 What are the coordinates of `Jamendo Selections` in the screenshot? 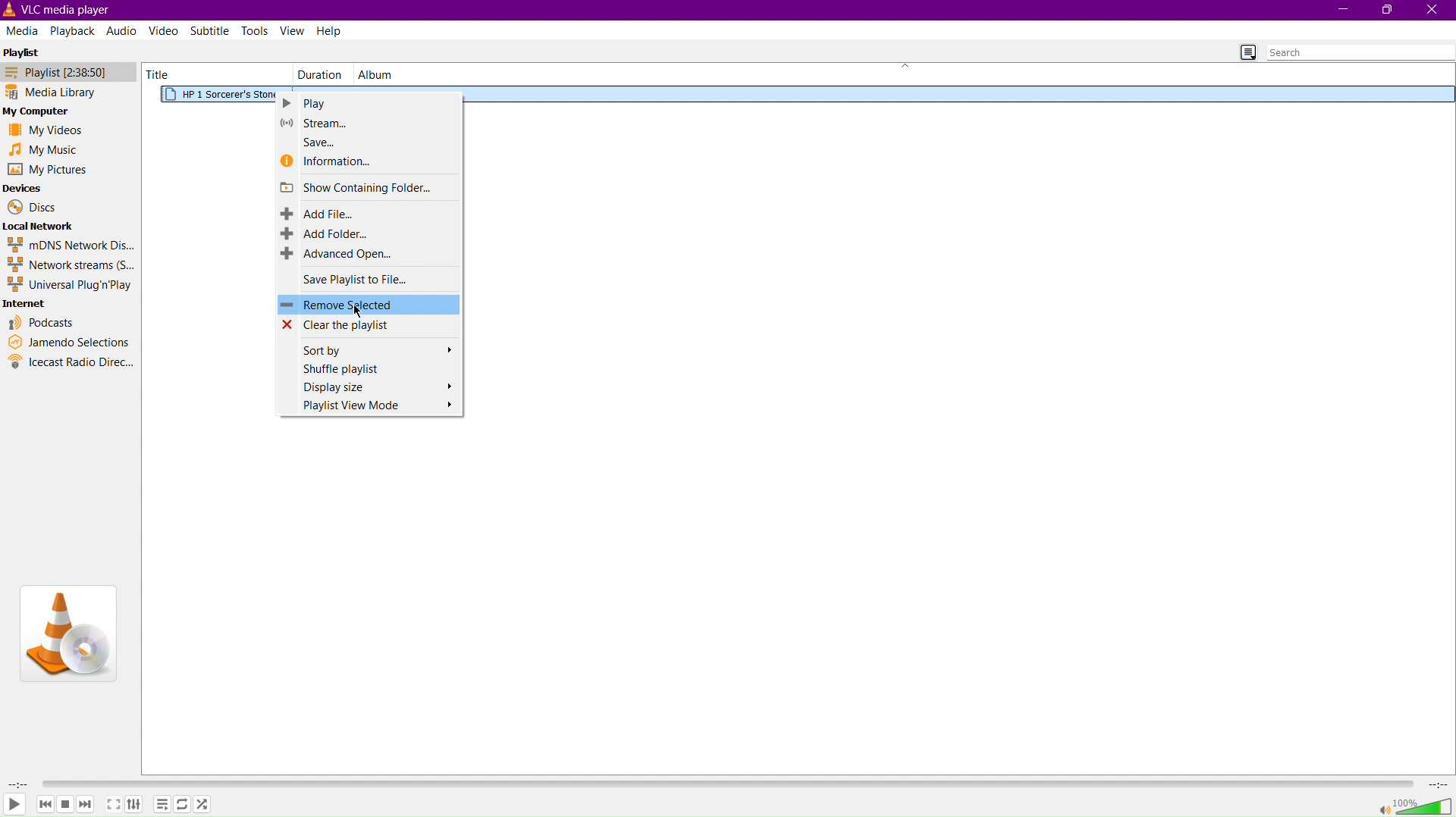 It's located at (70, 343).